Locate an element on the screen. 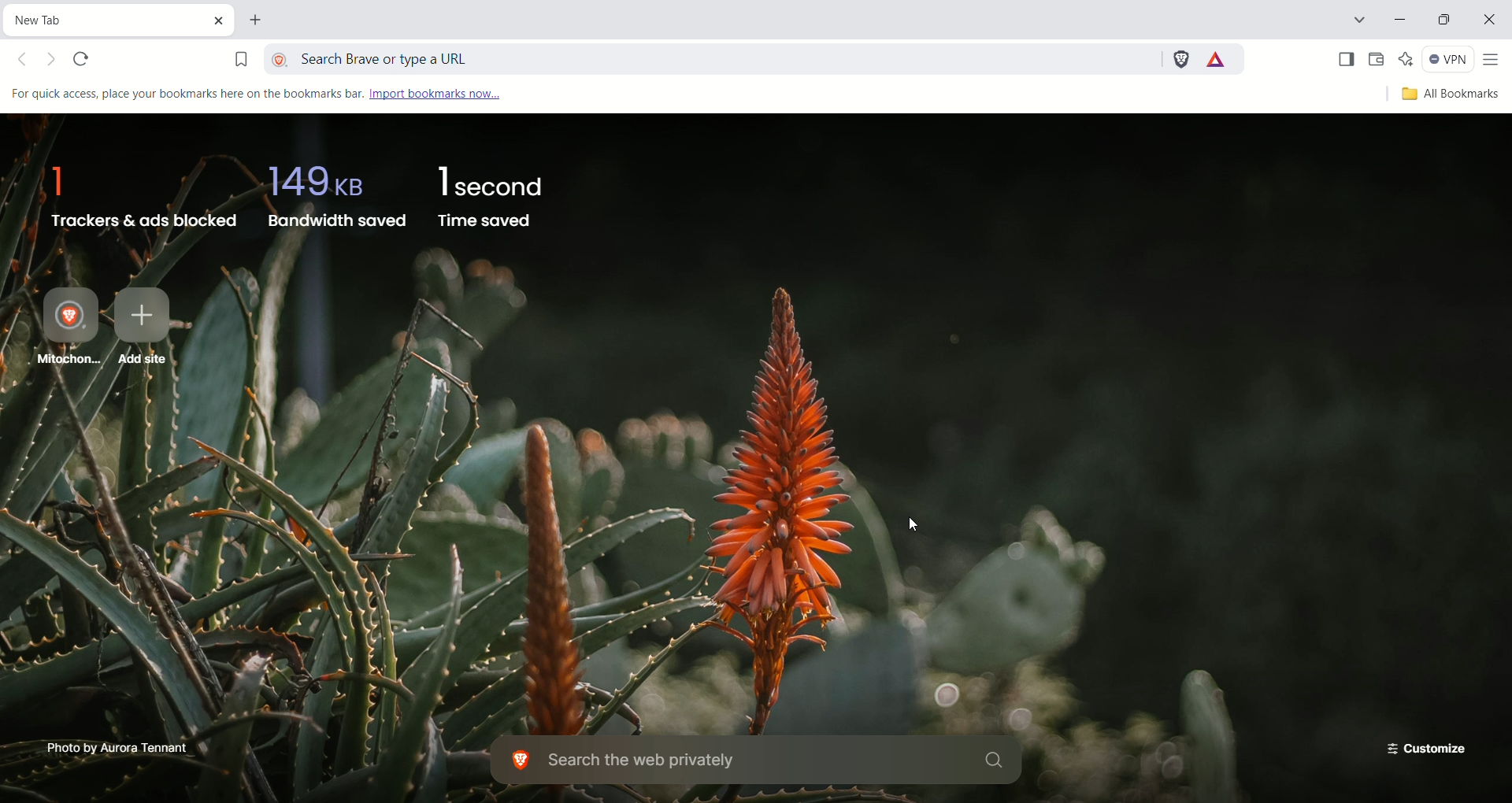 This screenshot has height=803, width=1512. brave shields is located at coordinates (1180, 57).